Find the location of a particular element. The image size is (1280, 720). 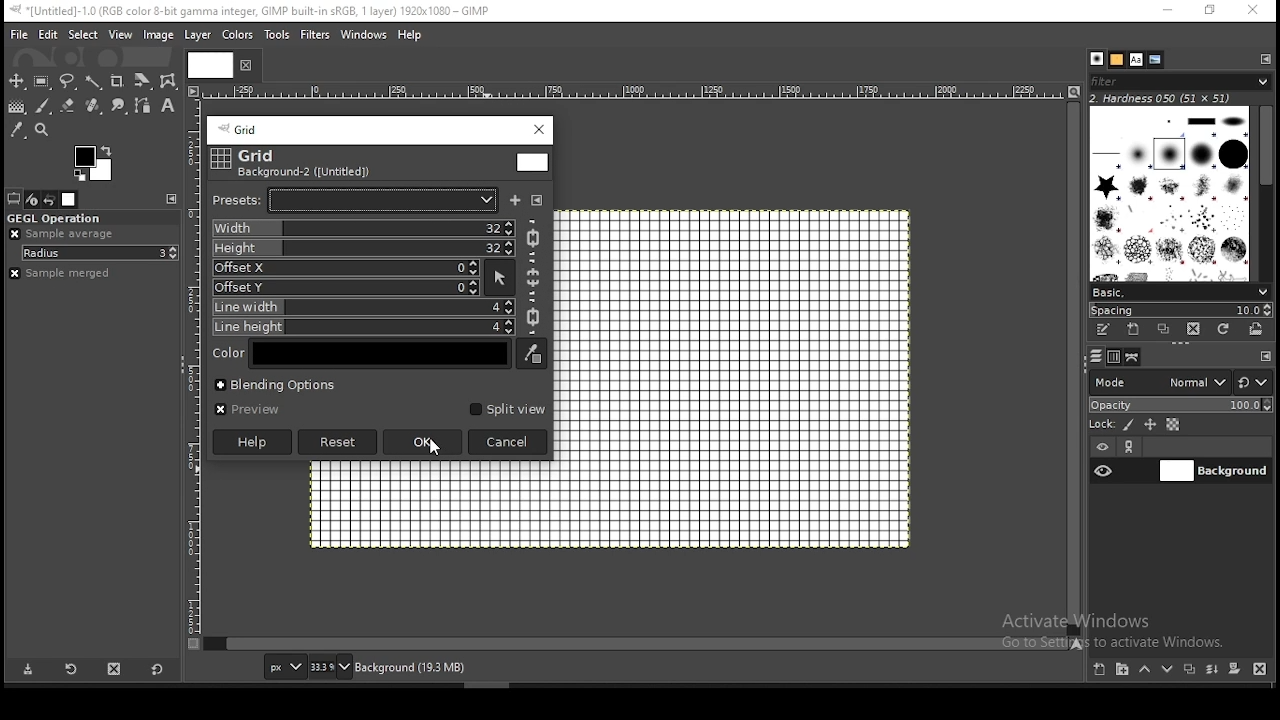

colors is located at coordinates (236, 36).